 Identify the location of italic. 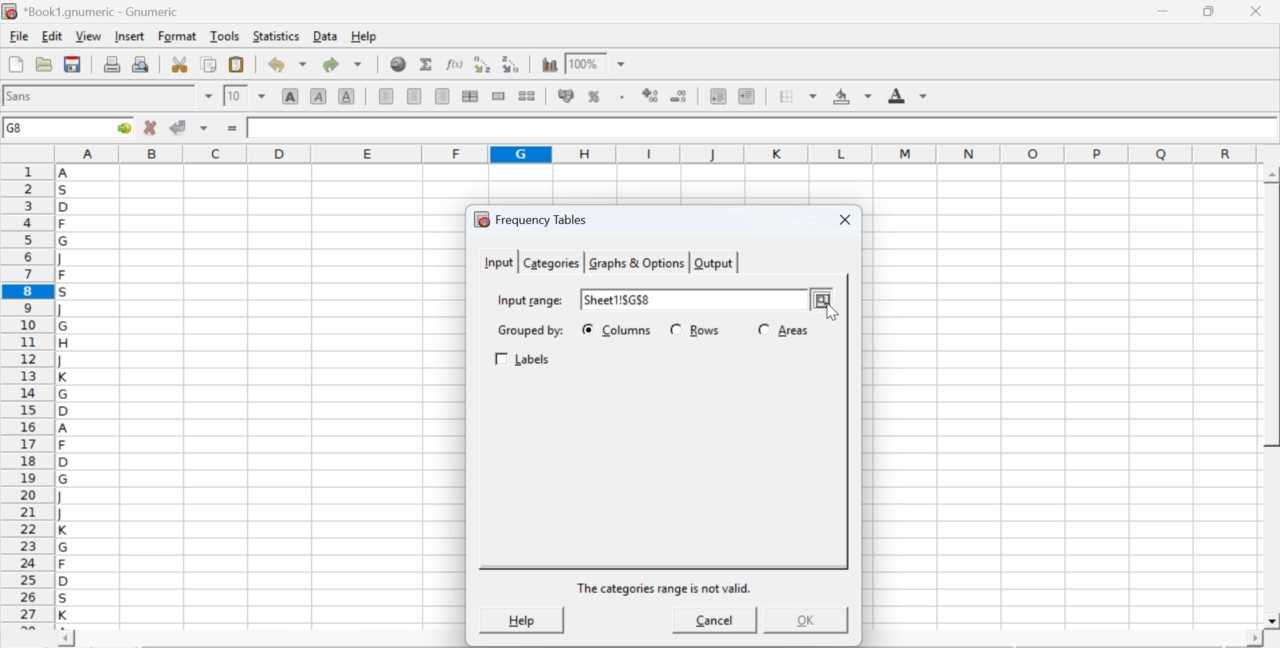
(320, 95).